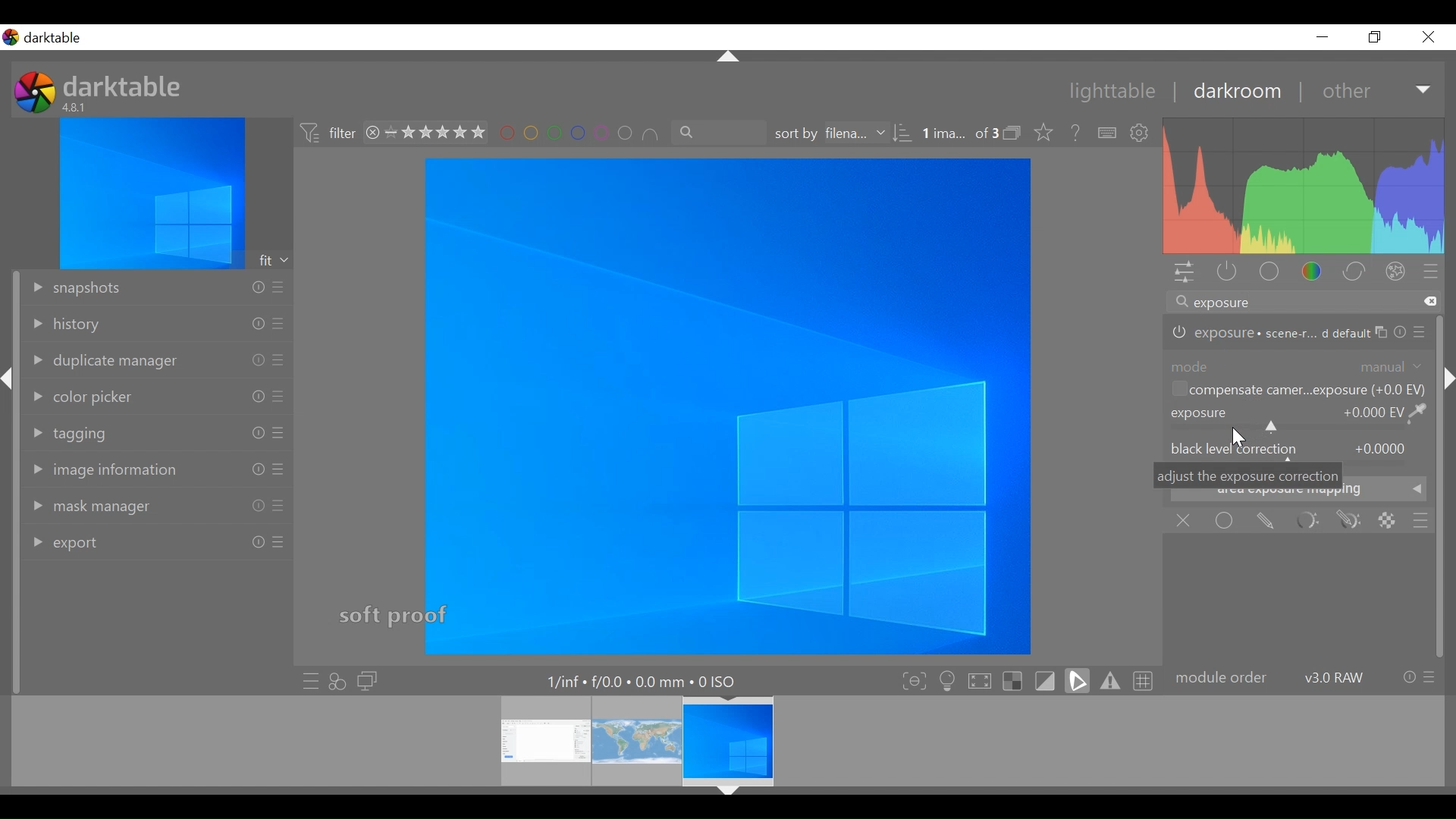 Image resolution: width=1456 pixels, height=819 pixels. What do you see at coordinates (35, 92) in the screenshot?
I see `logo` at bounding box center [35, 92].